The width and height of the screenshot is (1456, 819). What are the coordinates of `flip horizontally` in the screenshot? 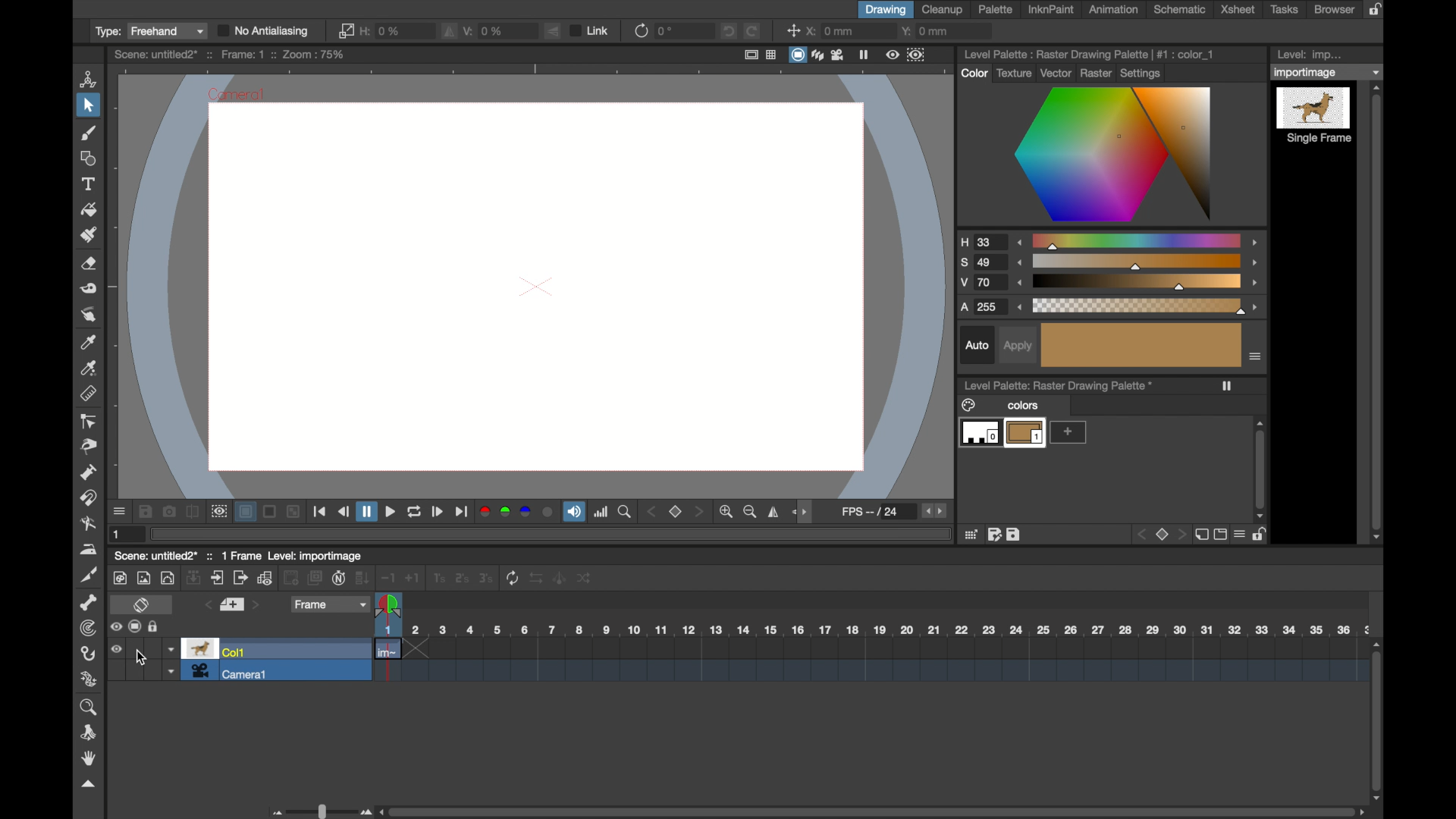 It's located at (774, 512).